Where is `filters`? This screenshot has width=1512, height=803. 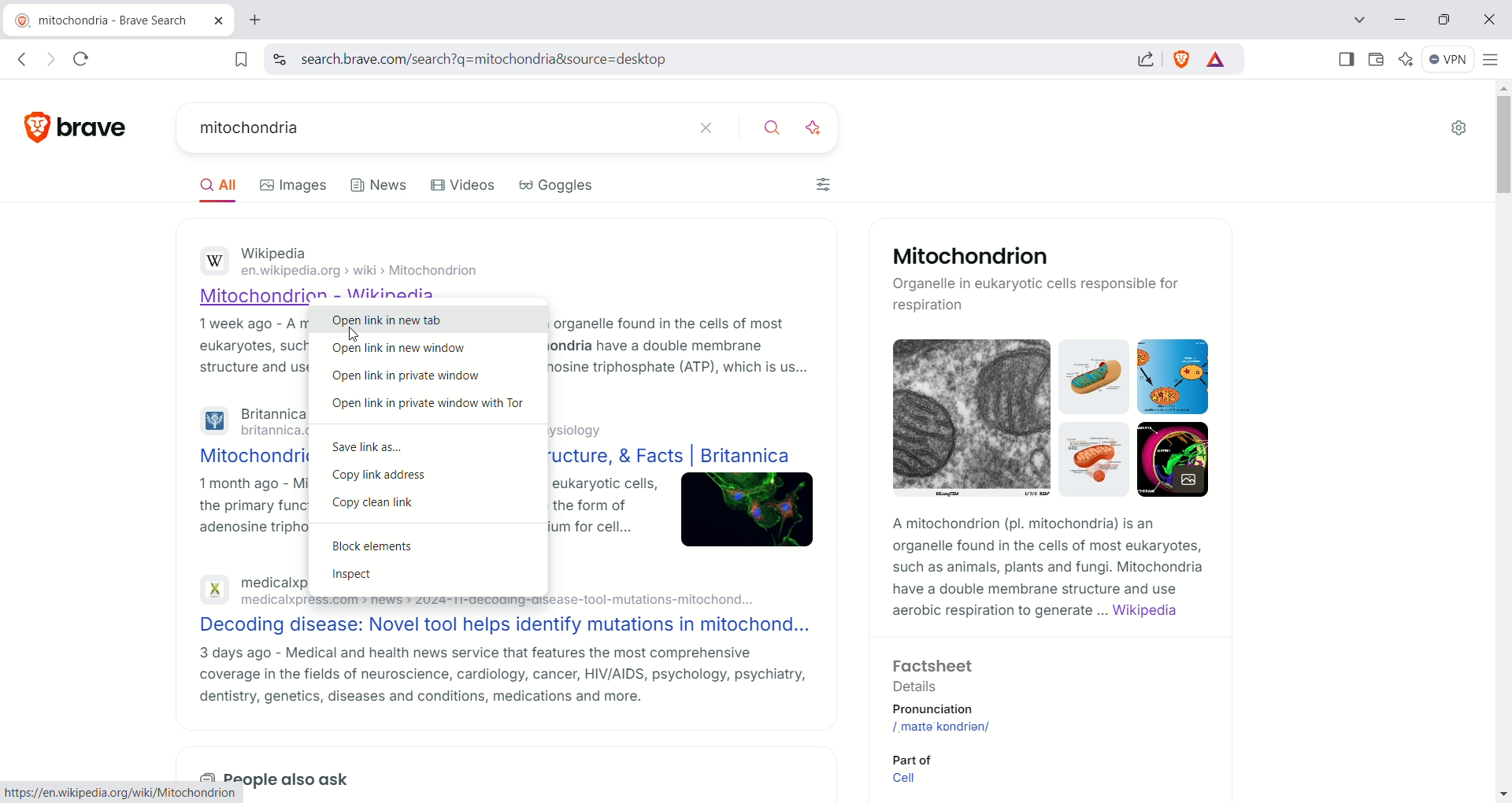
filters is located at coordinates (826, 187).